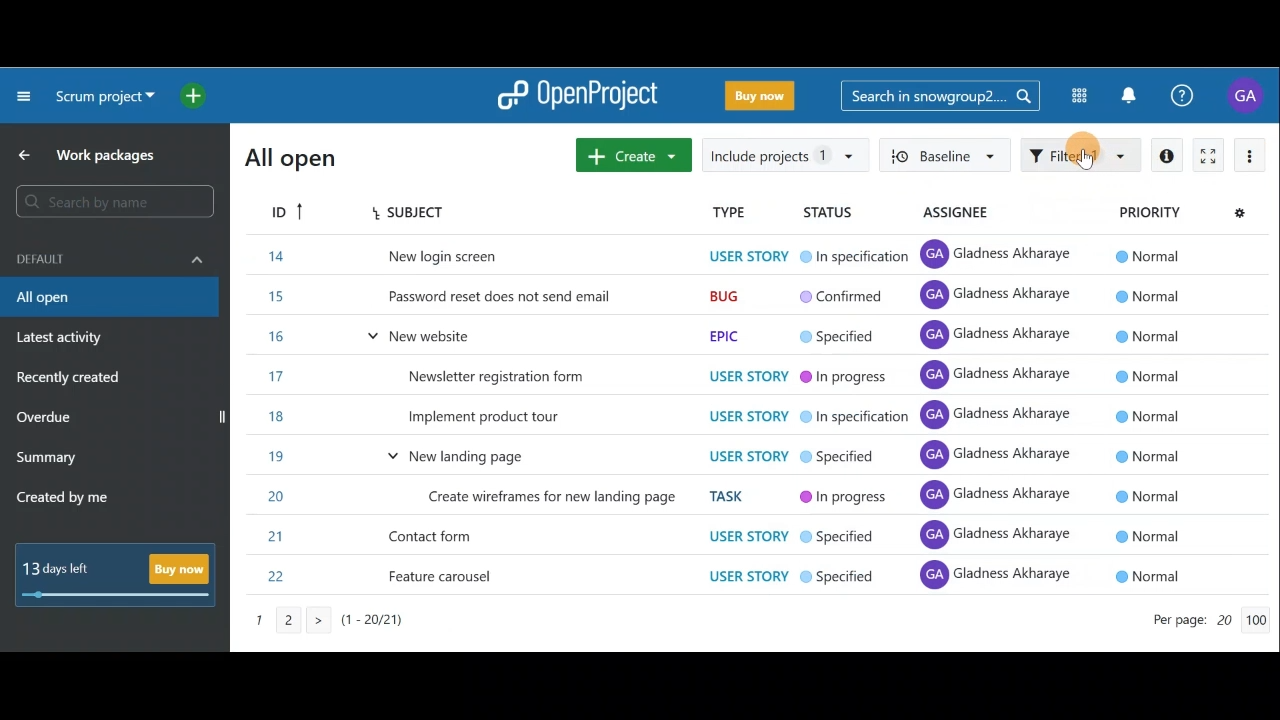 This screenshot has width=1280, height=720. What do you see at coordinates (1248, 95) in the screenshot?
I see `Account name` at bounding box center [1248, 95].